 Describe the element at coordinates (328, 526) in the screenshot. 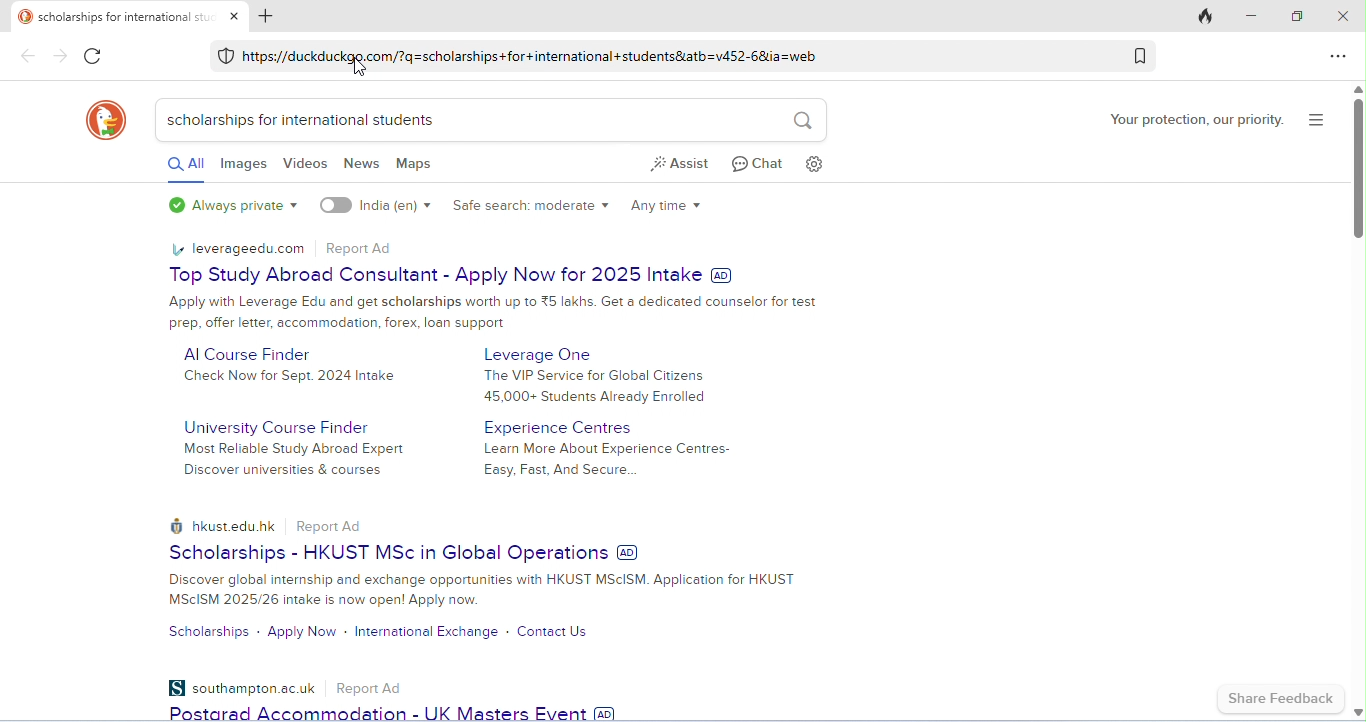

I see `report Ad` at that location.